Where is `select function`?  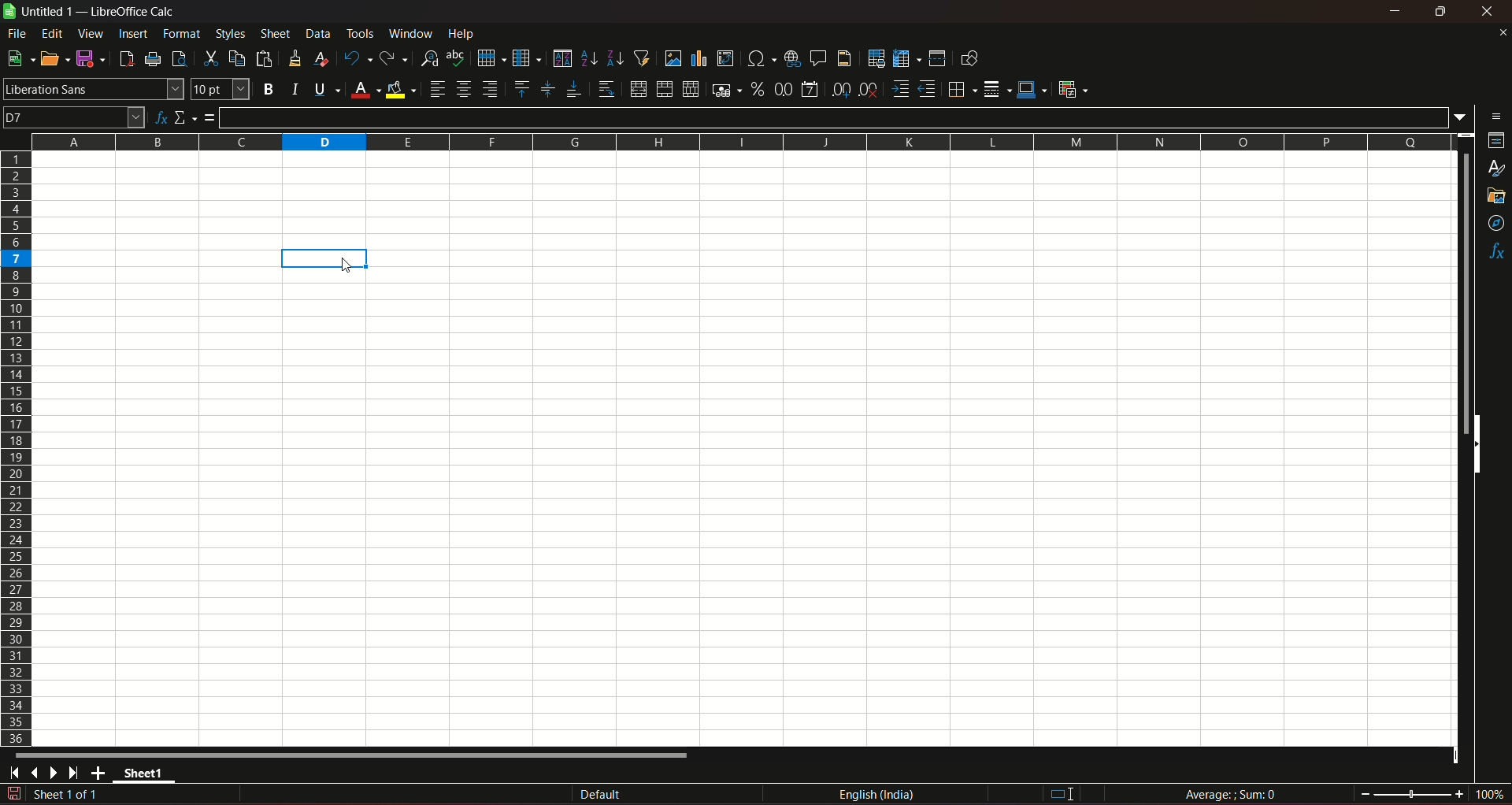
select function is located at coordinates (186, 117).